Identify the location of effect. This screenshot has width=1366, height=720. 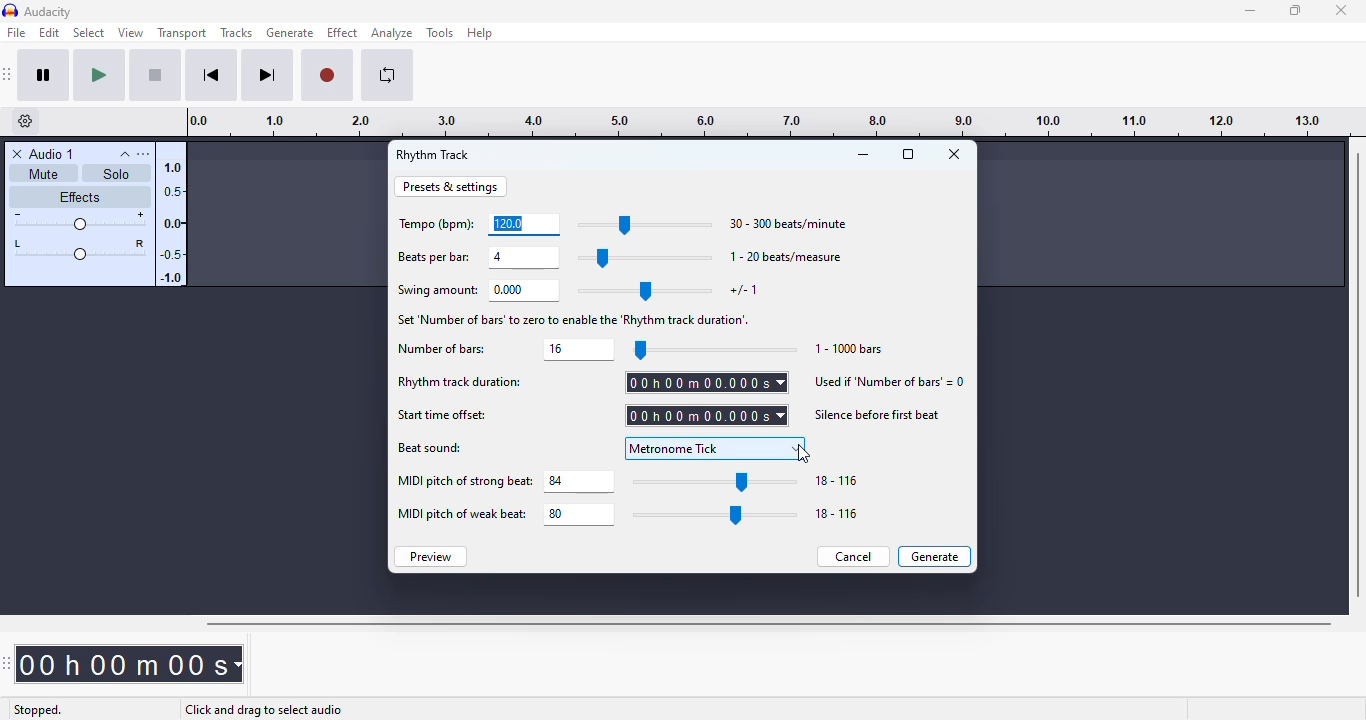
(343, 32).